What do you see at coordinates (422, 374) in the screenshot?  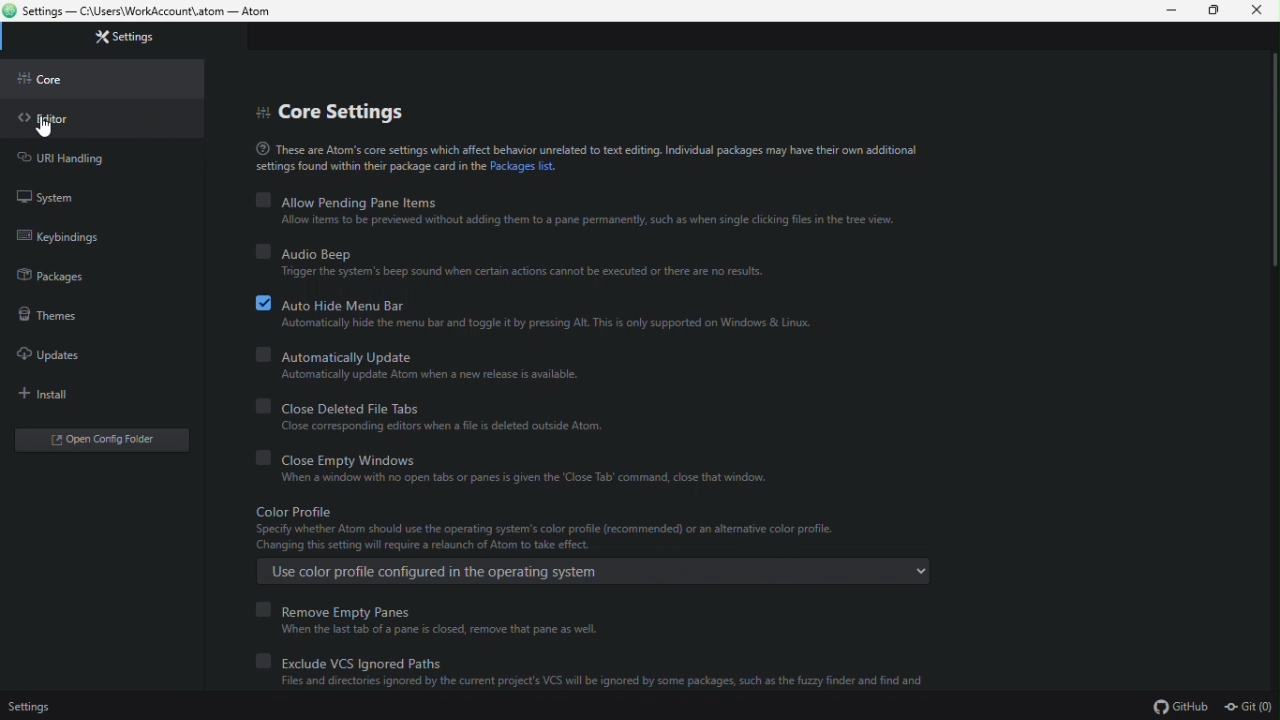 I see `Automatically update Atom when a new release is available.` at bounding box center [422, 374].